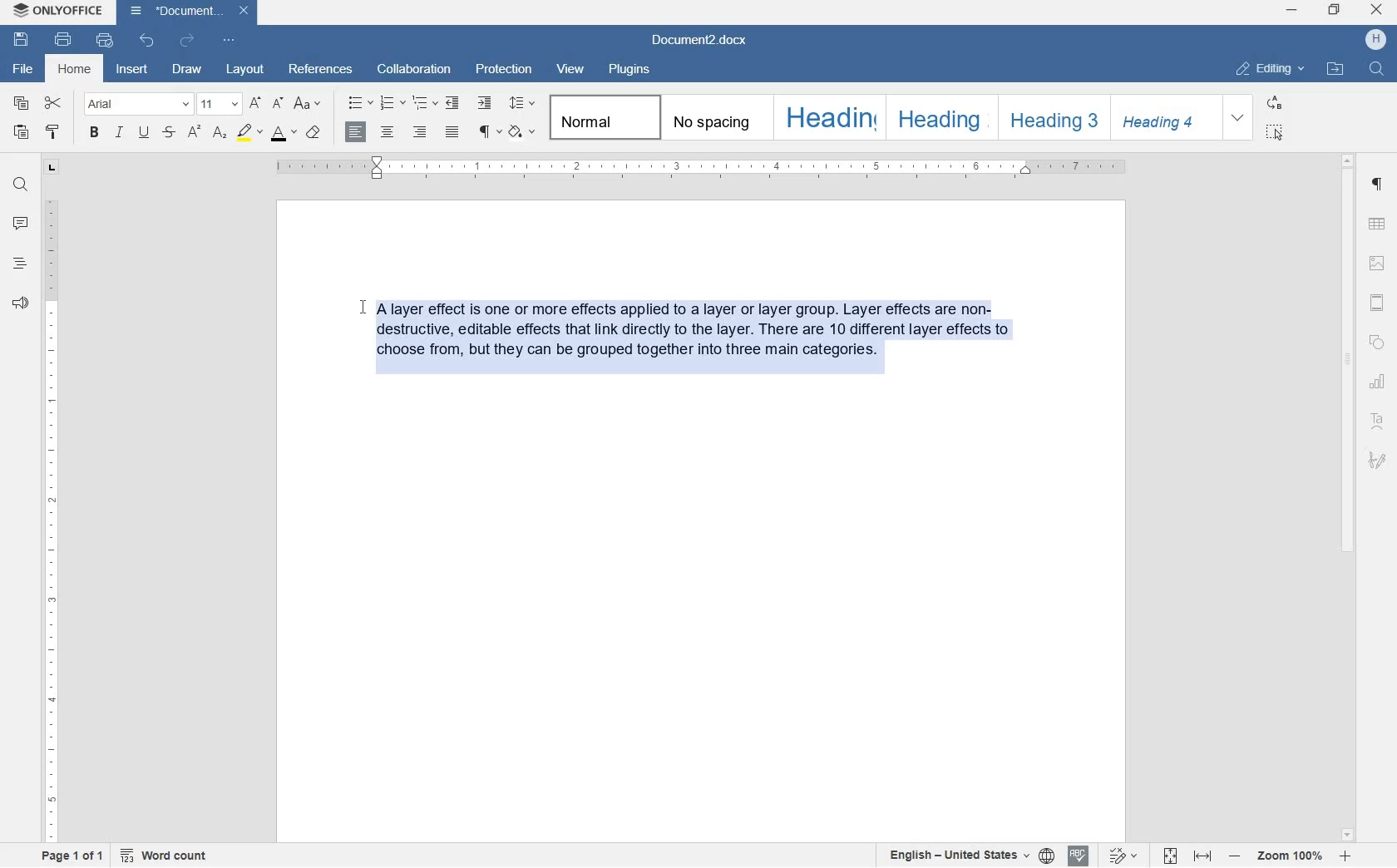 The width and height of the screenshot is (1397, 868). What do you see at coordinates (20, 265) in the screenshot?
I see `headings` at bounding box center [20, 265].